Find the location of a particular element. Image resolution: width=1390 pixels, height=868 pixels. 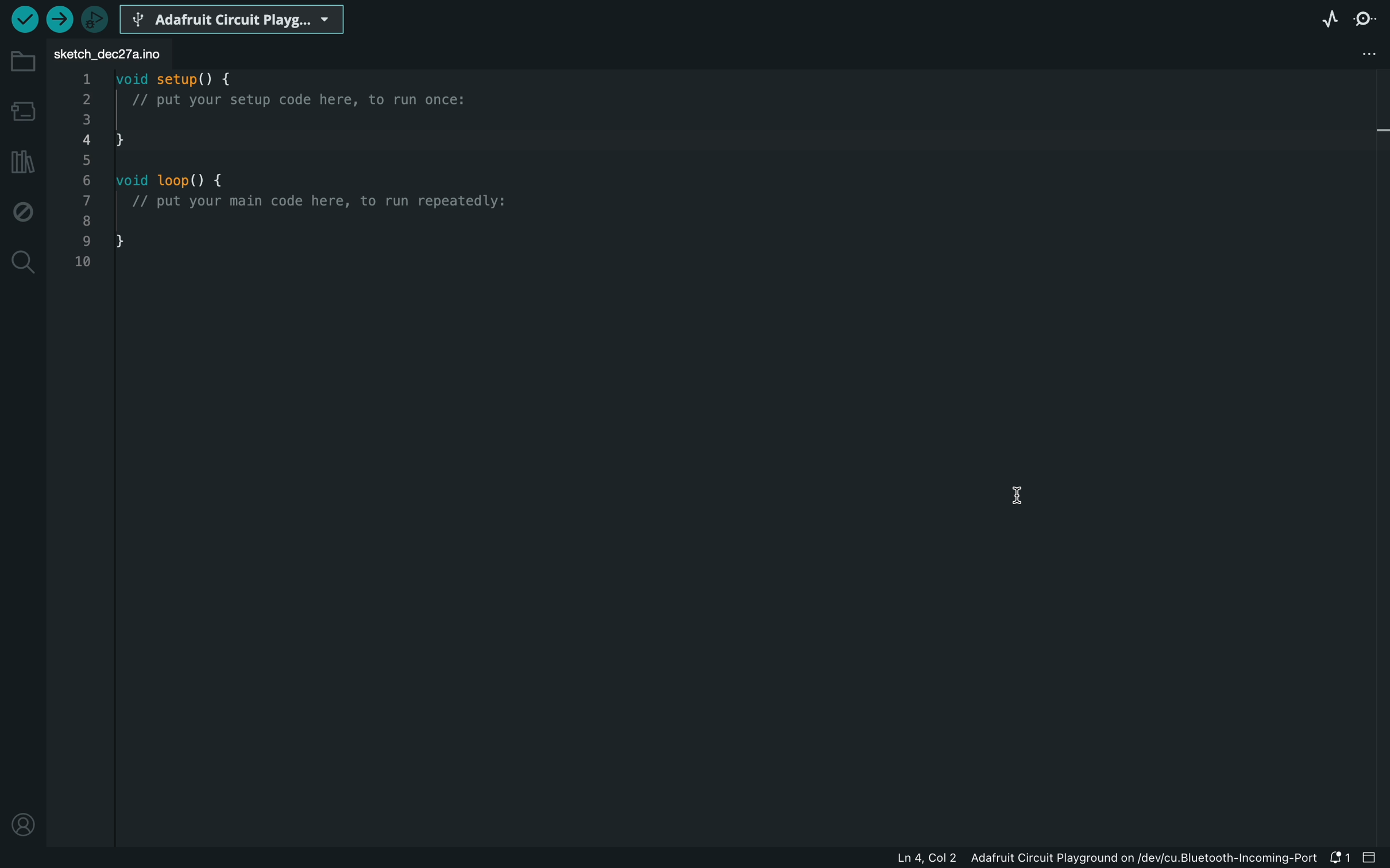

code is located at coordinates (296, 176).